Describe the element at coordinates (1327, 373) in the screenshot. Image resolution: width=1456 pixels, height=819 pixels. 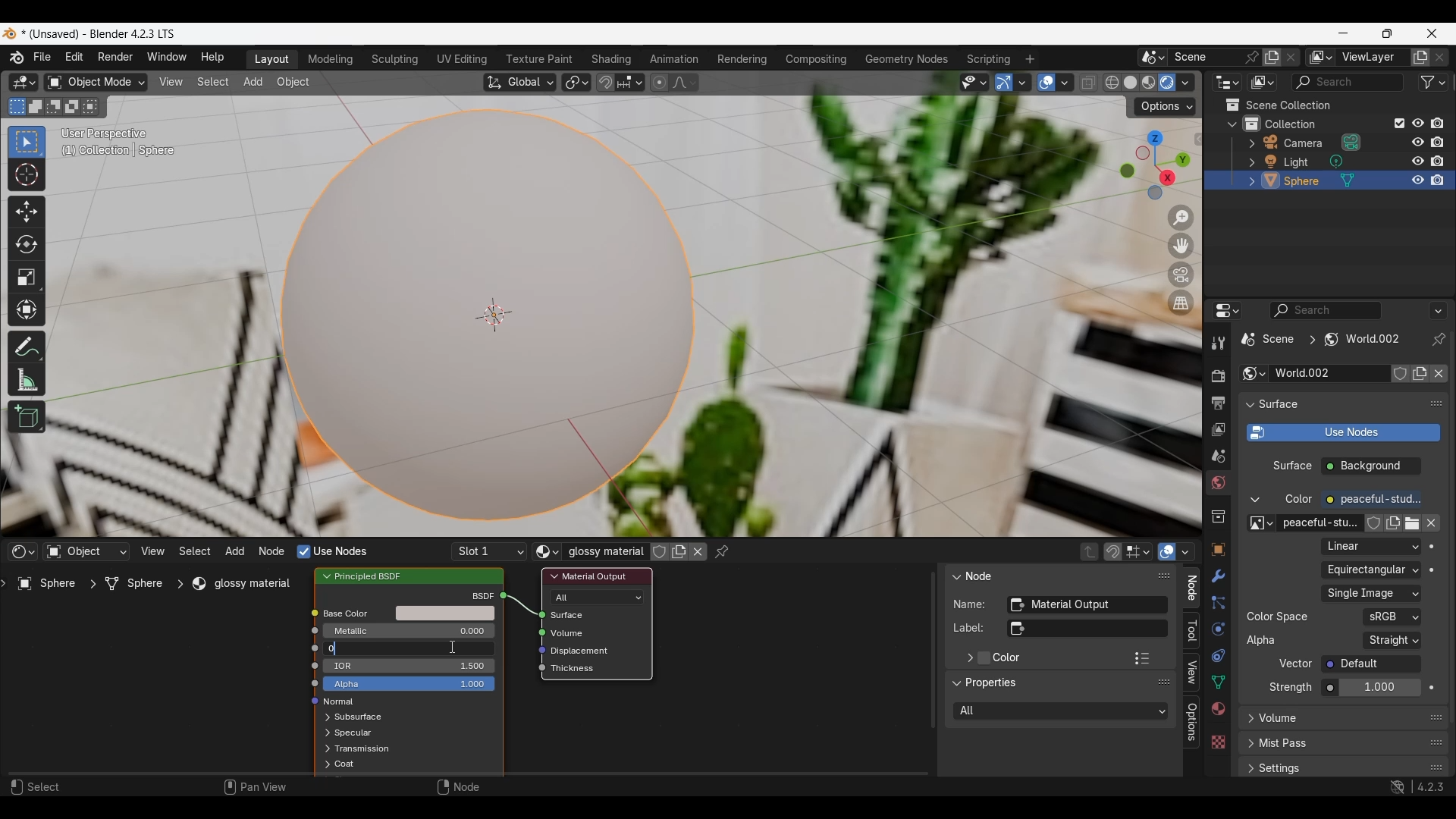
I see `Type world name` at that location.